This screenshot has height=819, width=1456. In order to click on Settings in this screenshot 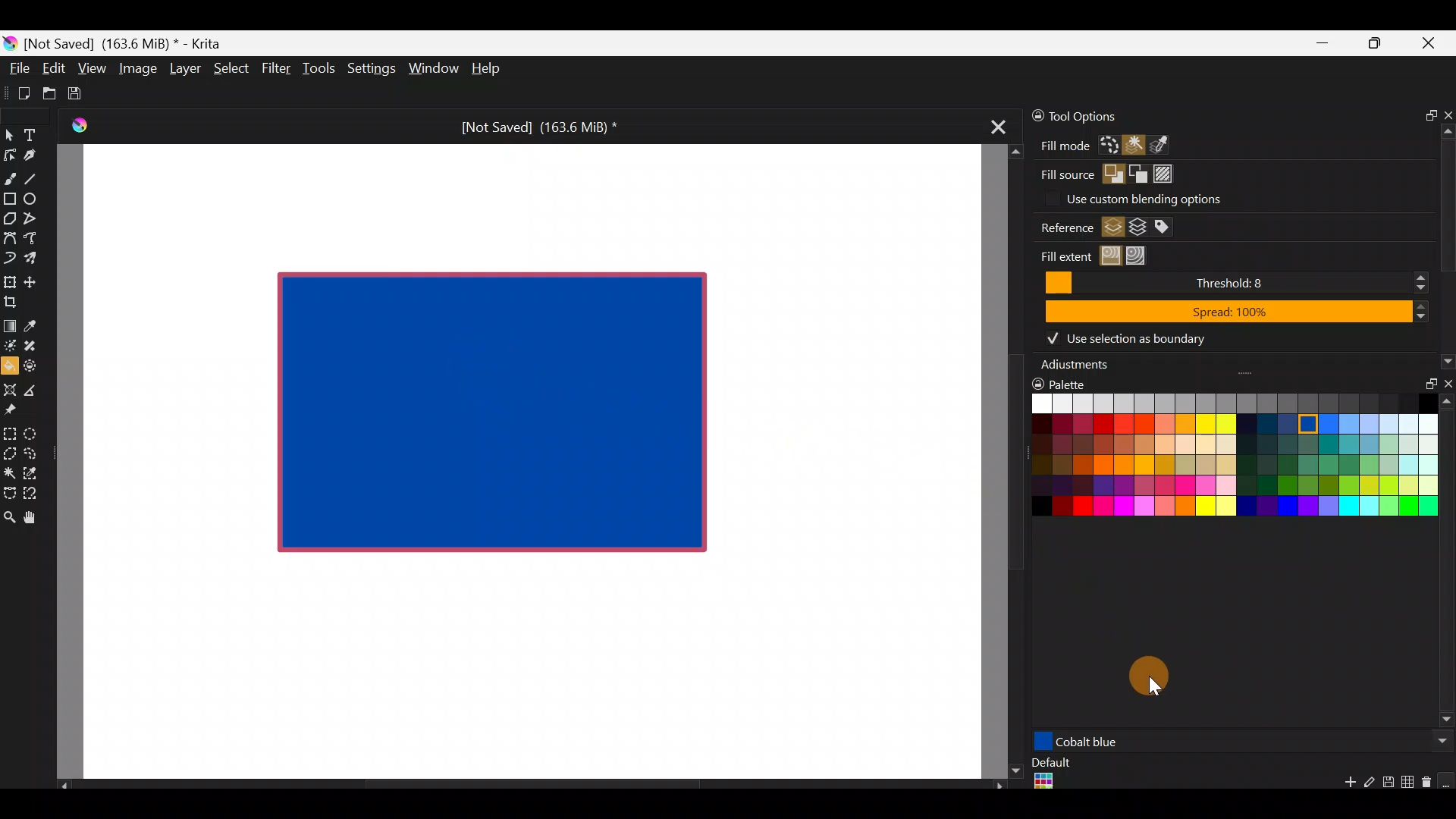, I will do `click(369, 66)`.